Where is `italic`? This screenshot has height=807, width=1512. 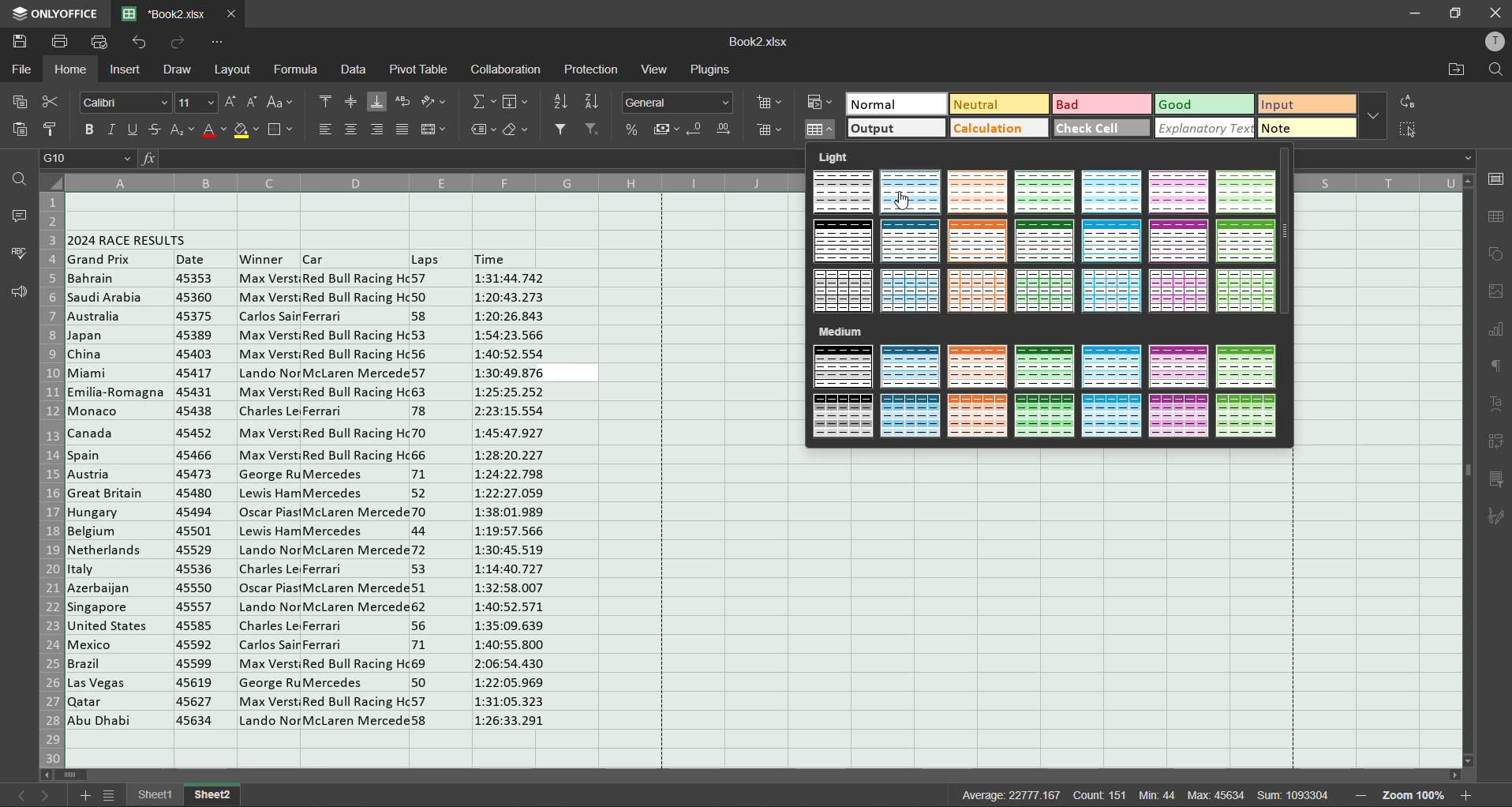
italic is located at coordinates (113, 130).